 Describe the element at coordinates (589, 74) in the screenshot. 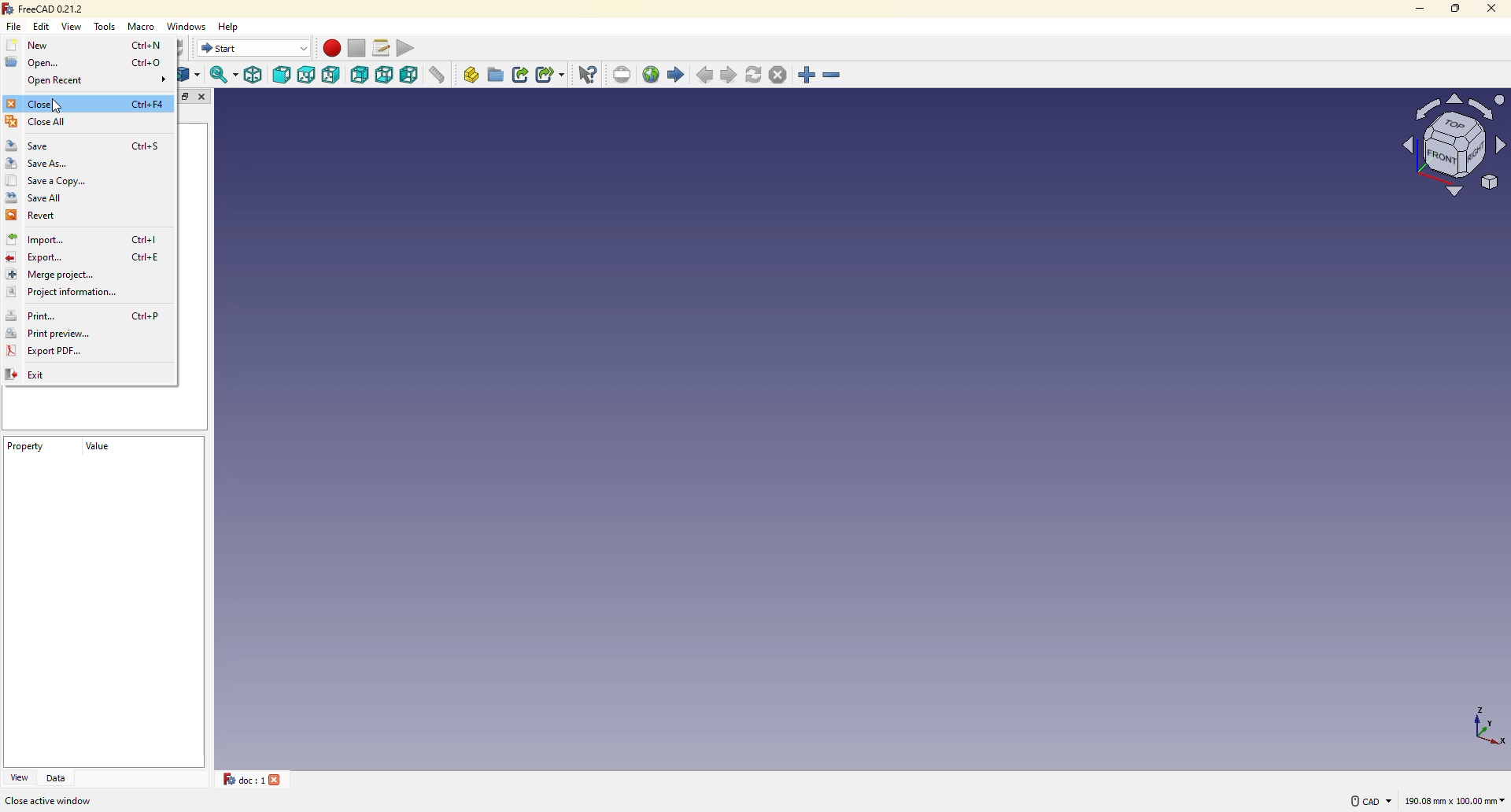

I see `what's this` at that location.